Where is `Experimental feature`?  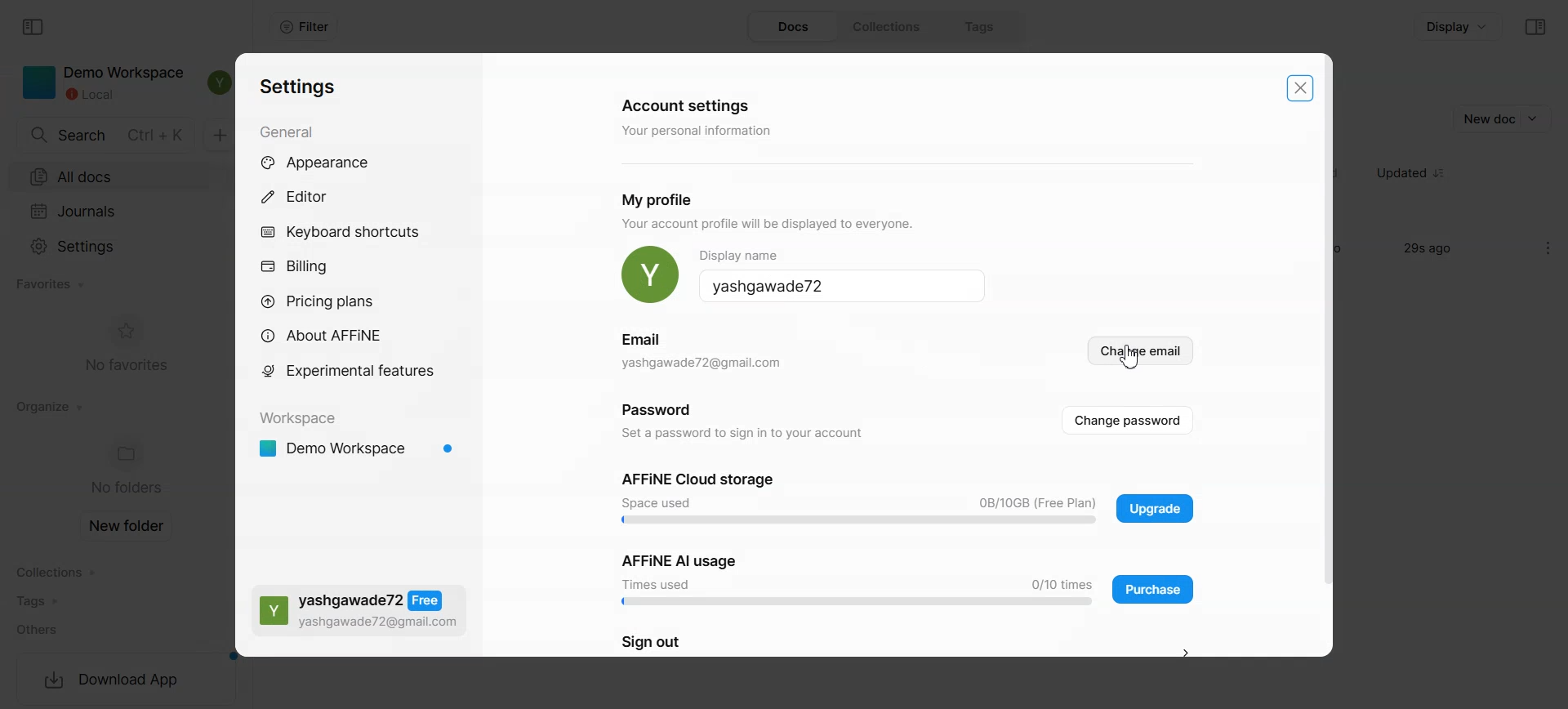
Experimental feature is located at coordinates (357, 370).